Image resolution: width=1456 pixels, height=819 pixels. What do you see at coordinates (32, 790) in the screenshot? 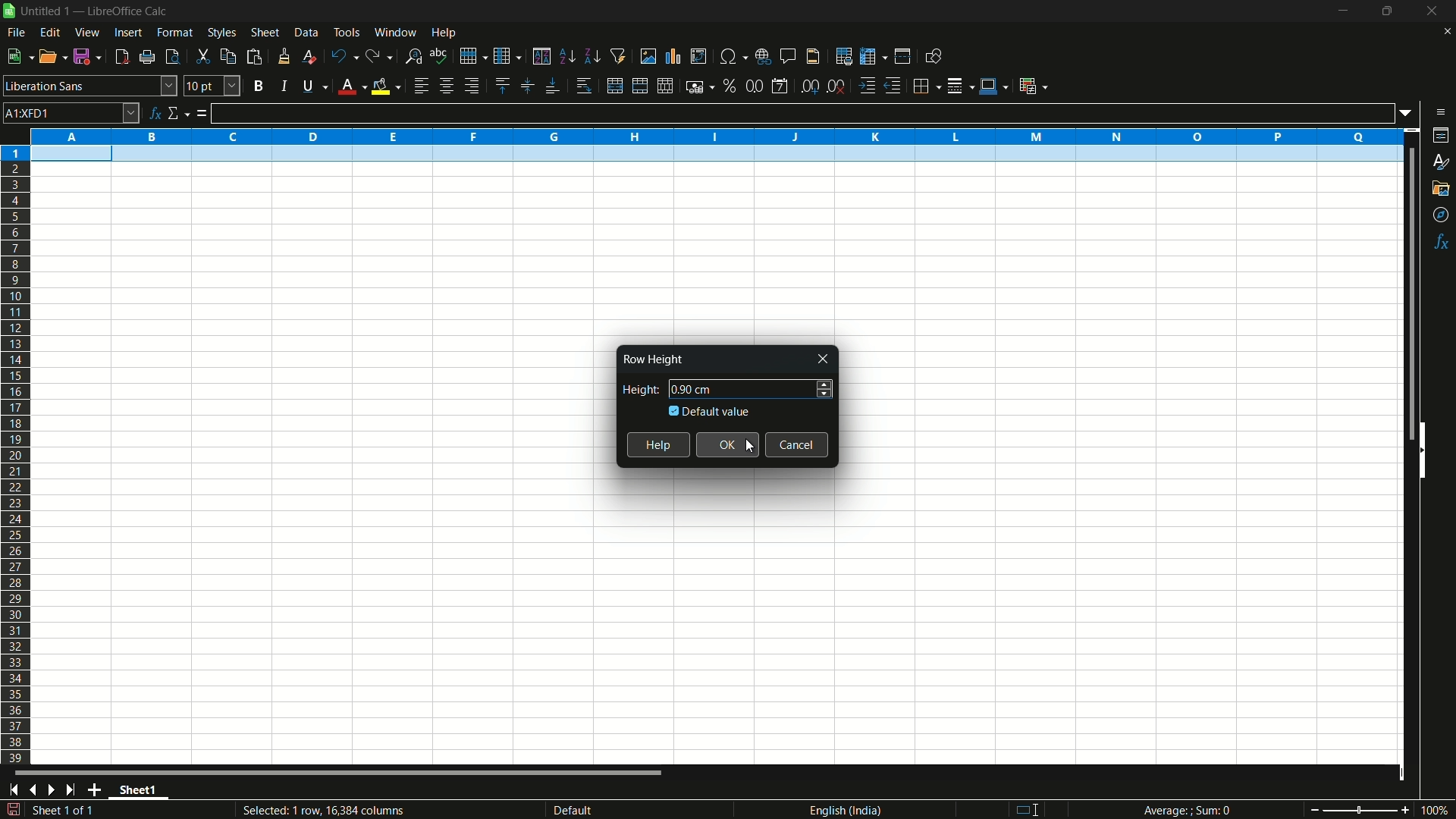
I see `previous sheet` at bounding box center [32, 790].